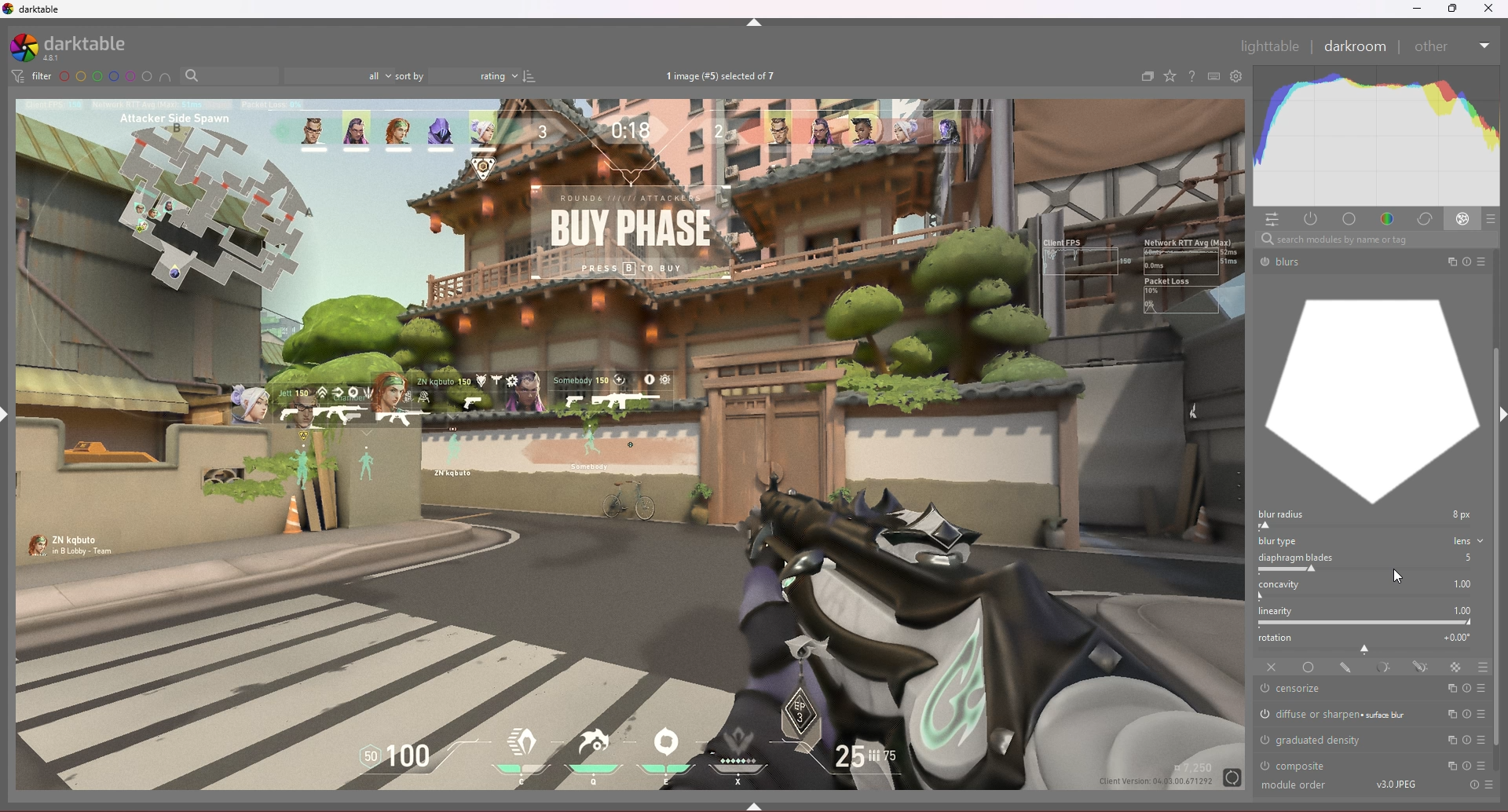  I want to click on drawn and parametric mask, so click(1422, 667).